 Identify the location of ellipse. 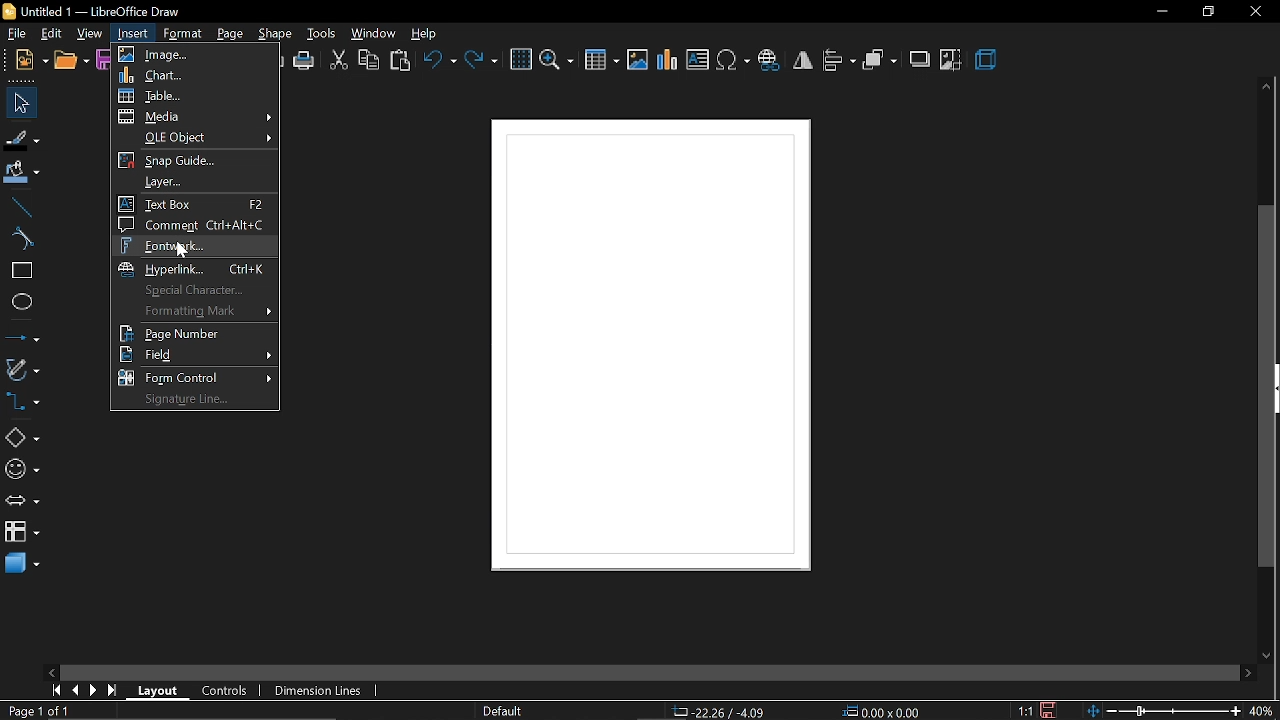
(20, 302).